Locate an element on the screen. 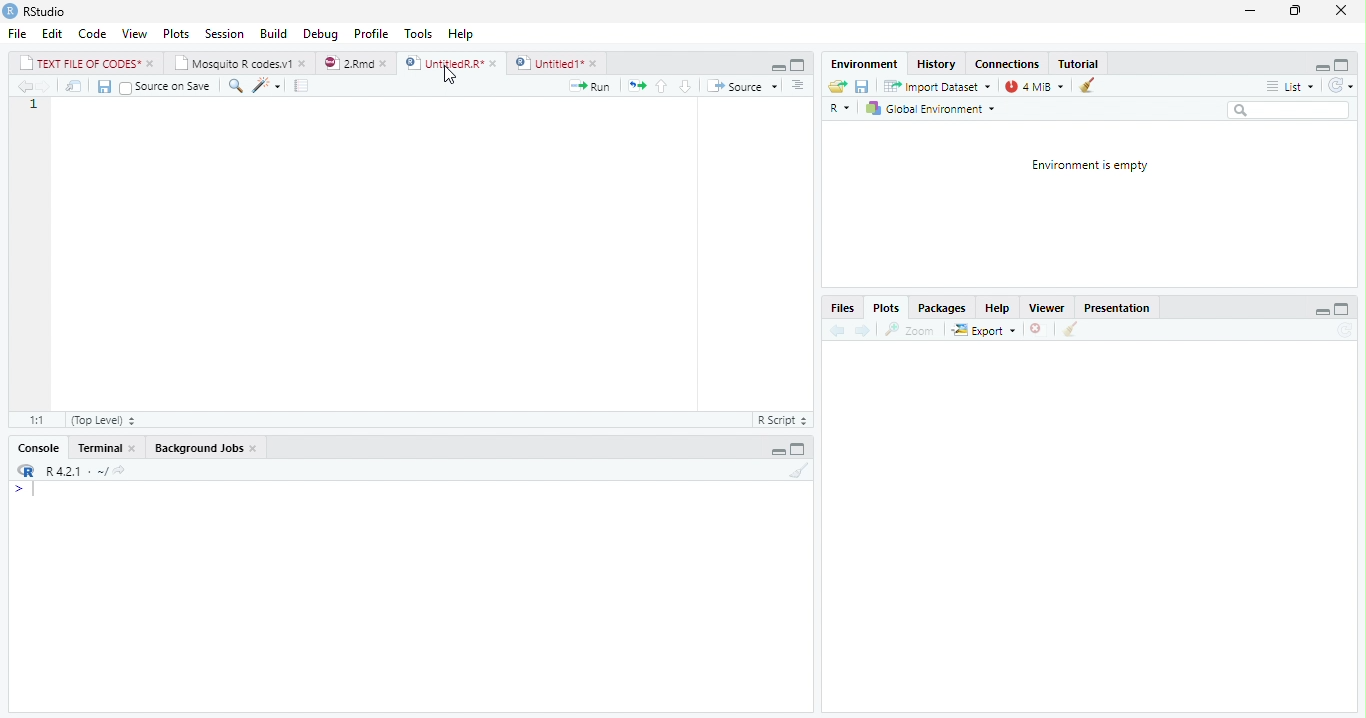 The height and width of the screenshot is (718, 1366).  UntitiedR is located at coordinates (452, 63).